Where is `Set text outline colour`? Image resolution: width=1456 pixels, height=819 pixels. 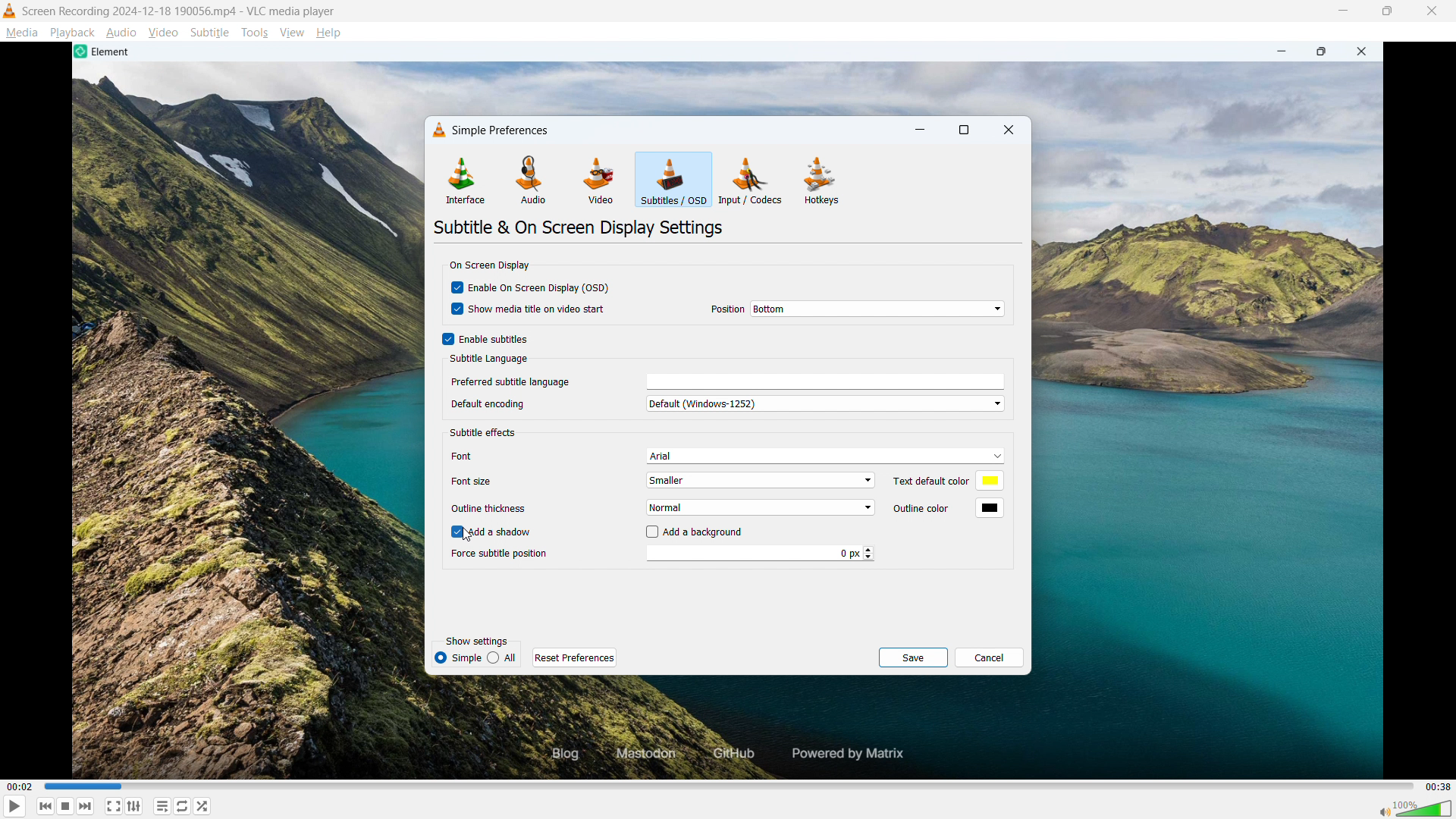
Set text outline colour is located at coordinates (948, 507).